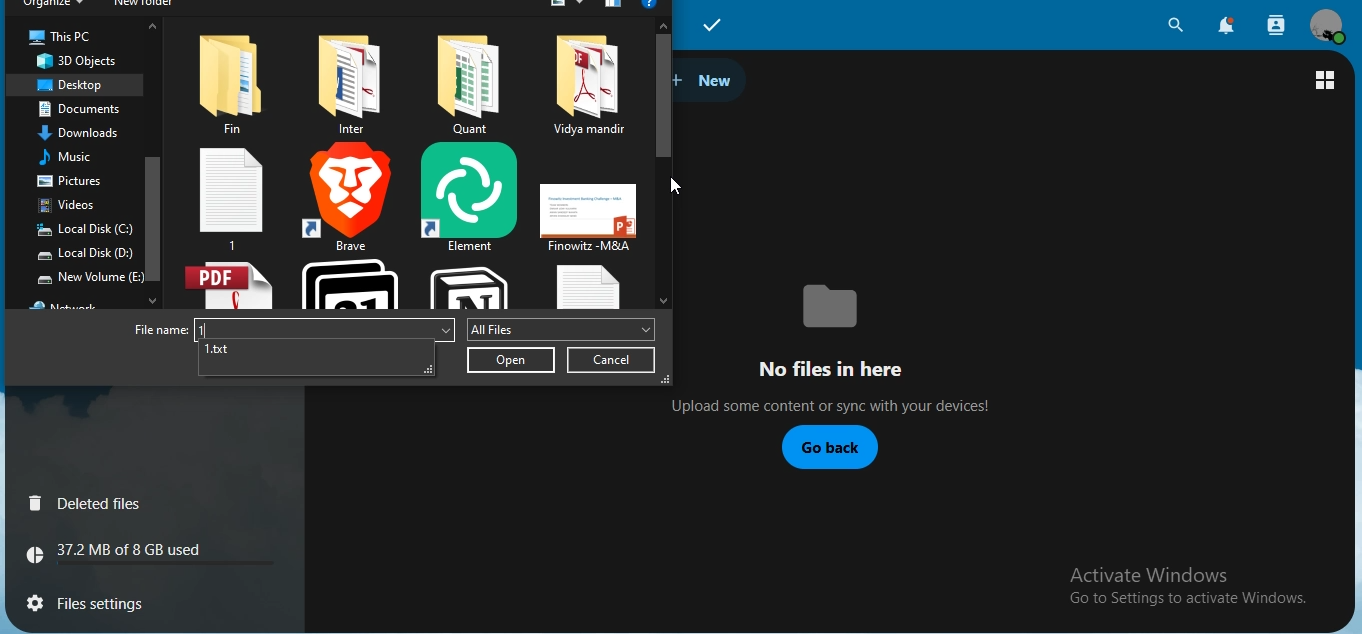 The image size is (1362, 634). I want to click on pictures, so click(80, 181).